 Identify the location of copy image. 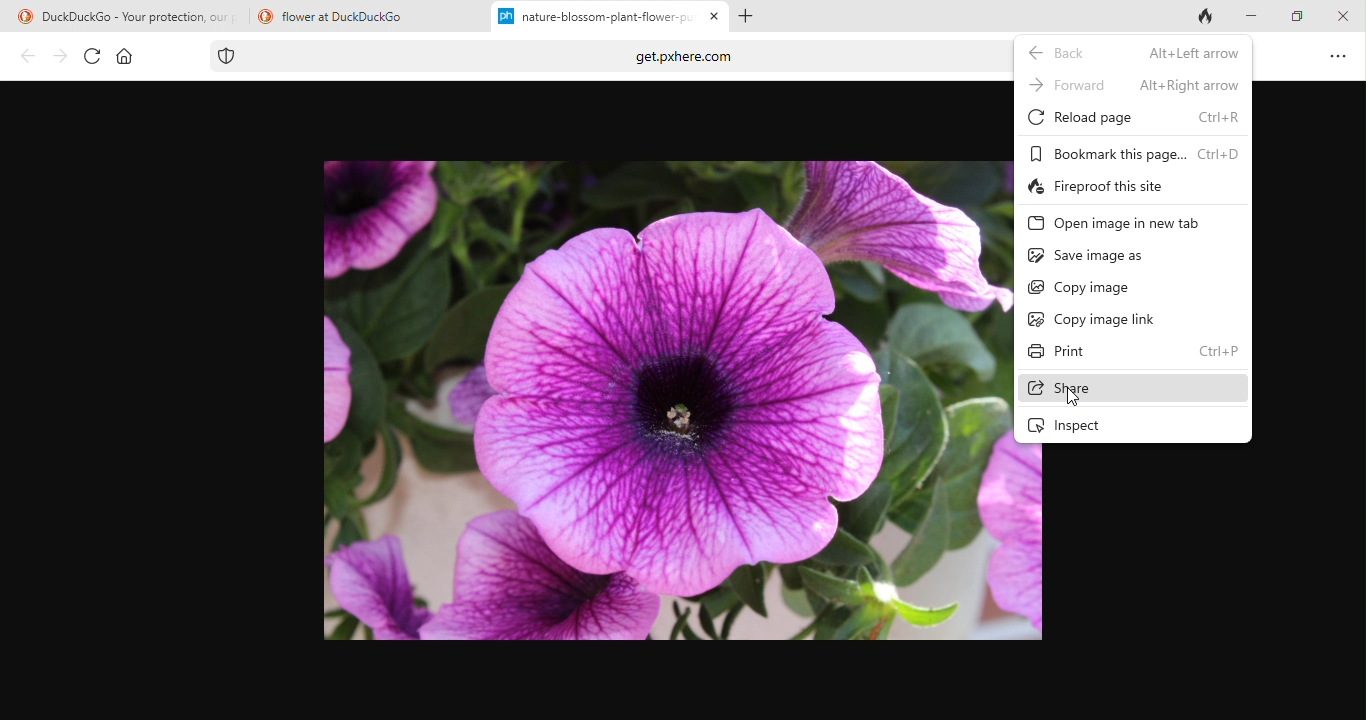
(1080, 288).